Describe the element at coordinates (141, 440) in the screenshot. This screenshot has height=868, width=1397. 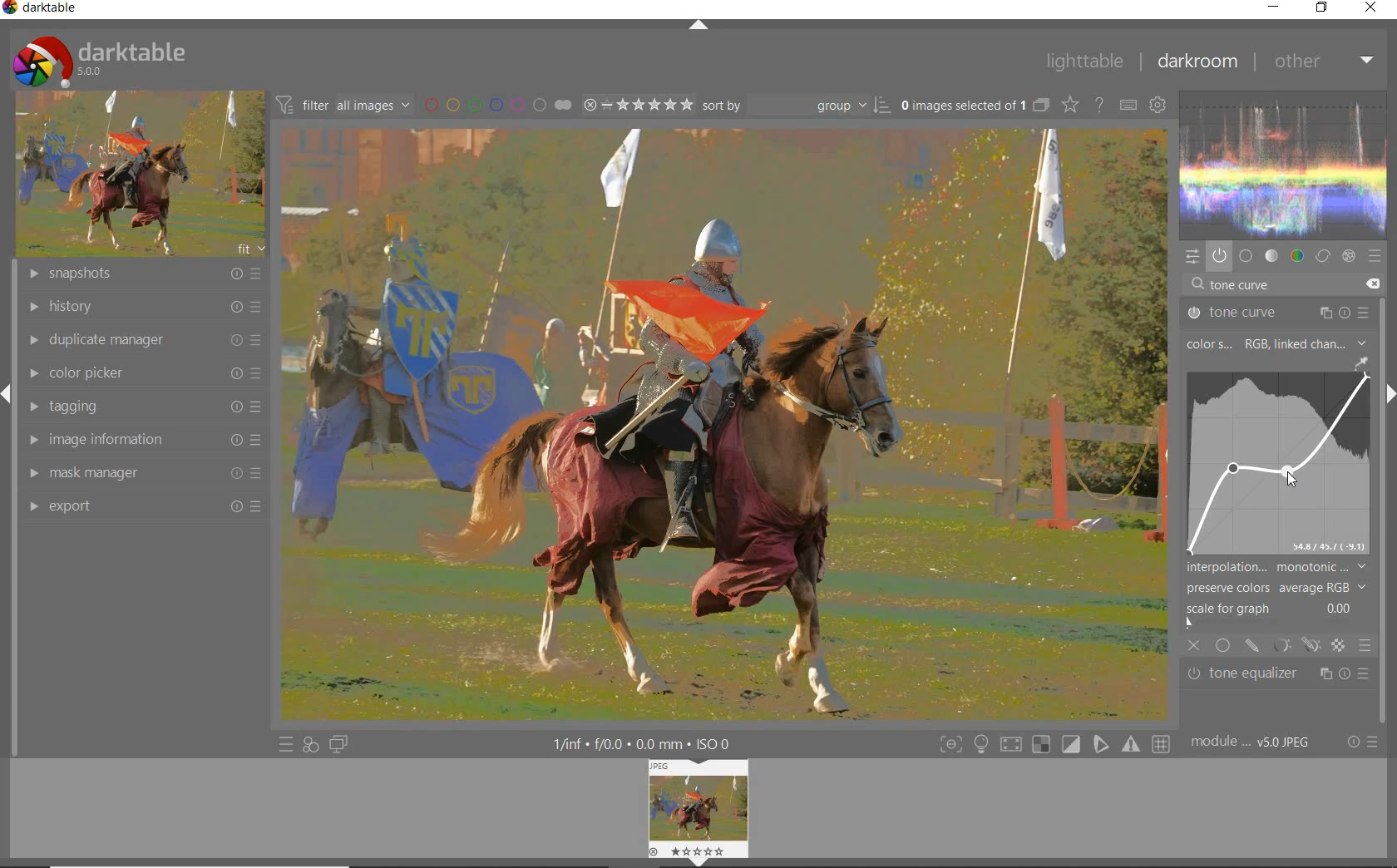
I see `image information` at that location.